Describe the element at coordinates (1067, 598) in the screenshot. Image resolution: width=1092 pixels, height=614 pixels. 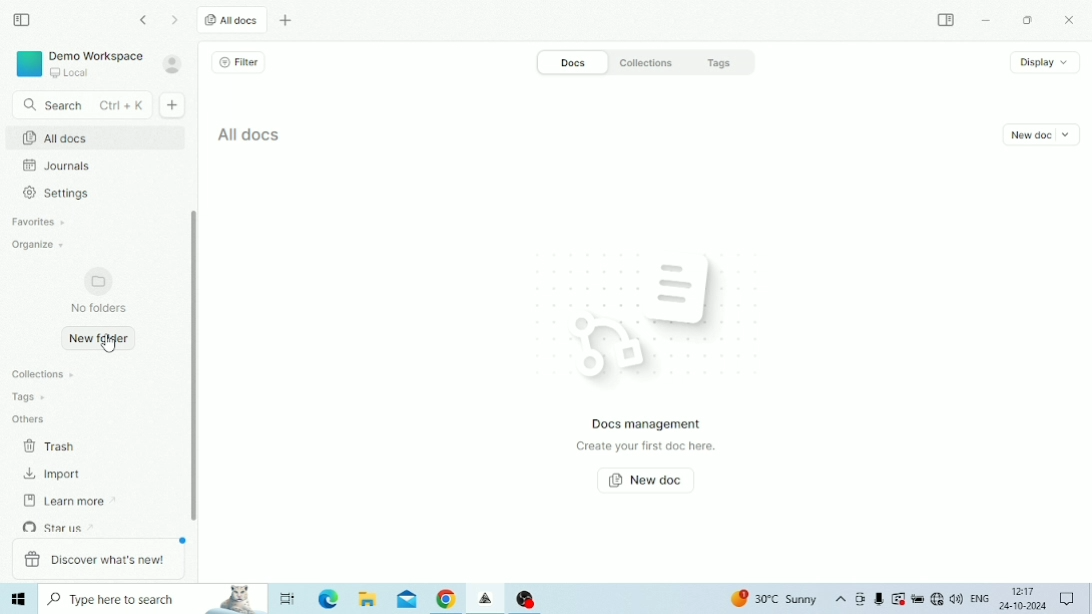
I see `Notifications` at that location.